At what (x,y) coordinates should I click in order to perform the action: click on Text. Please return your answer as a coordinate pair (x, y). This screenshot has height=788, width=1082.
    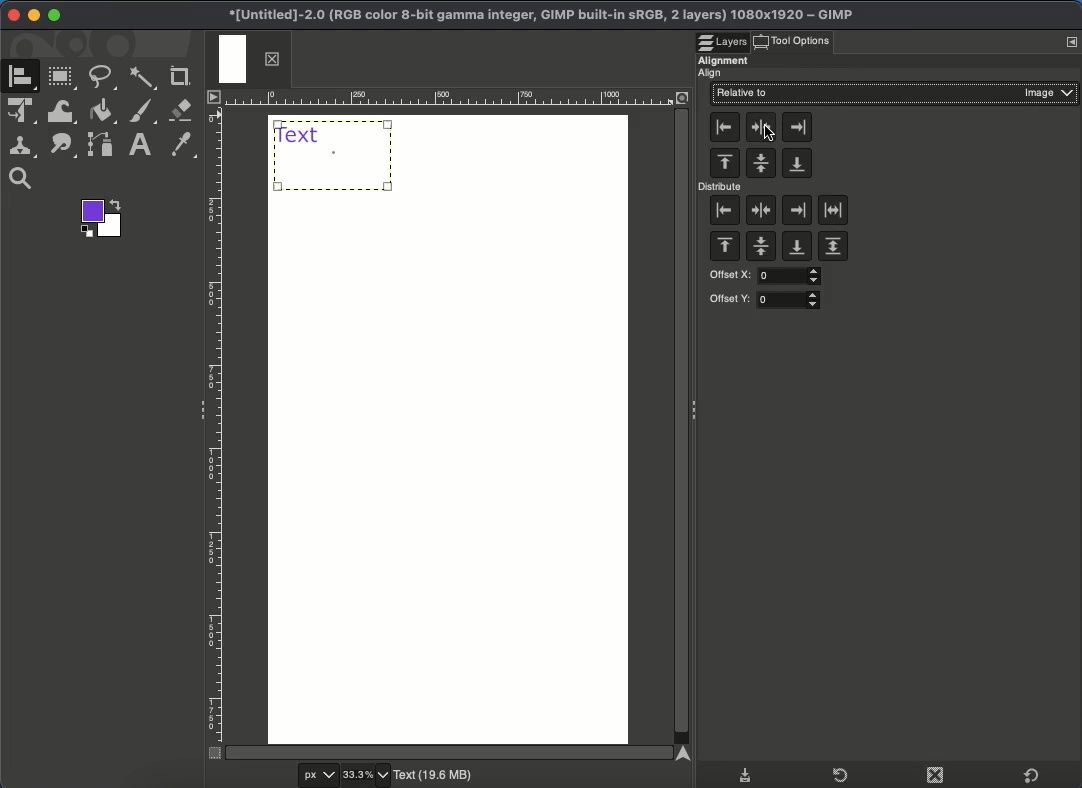
    Looking at the image, I should click on (140, 146).